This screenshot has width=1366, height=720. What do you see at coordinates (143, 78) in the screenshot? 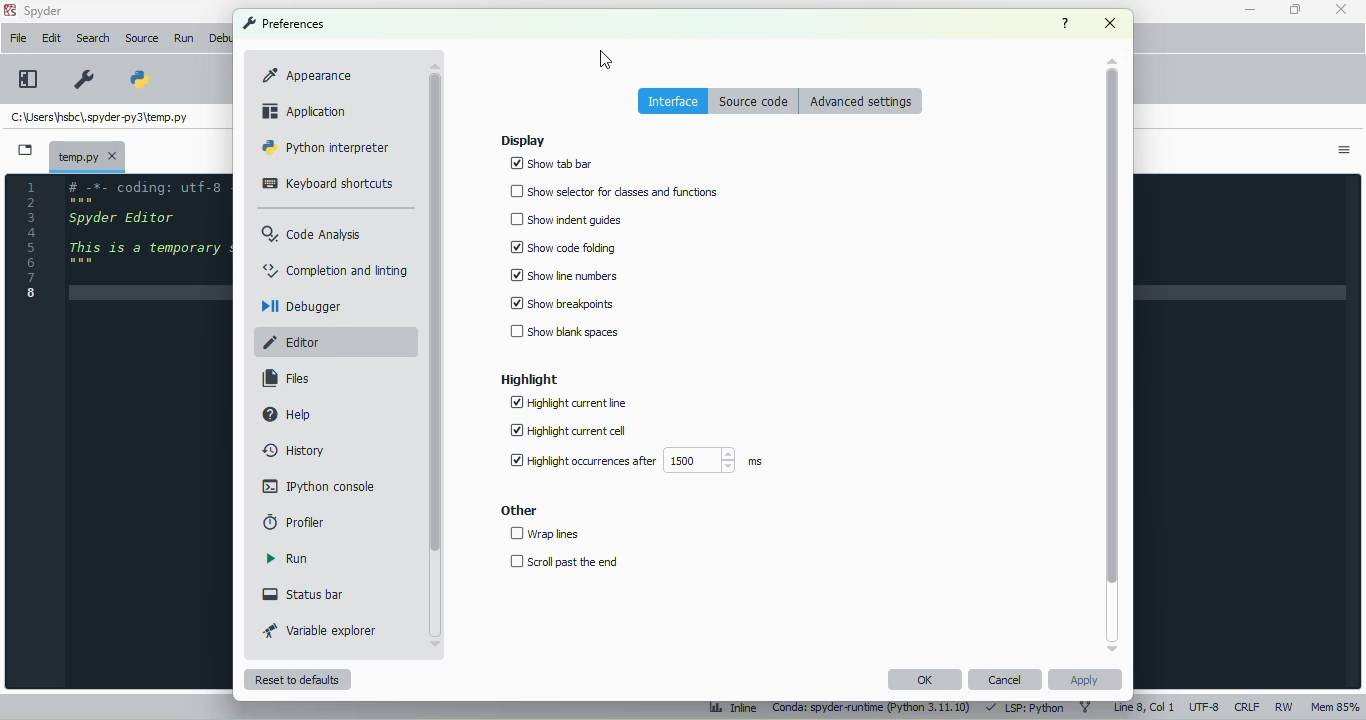
I see `PYTHONPATH manager` at bounding box center [143, 78].